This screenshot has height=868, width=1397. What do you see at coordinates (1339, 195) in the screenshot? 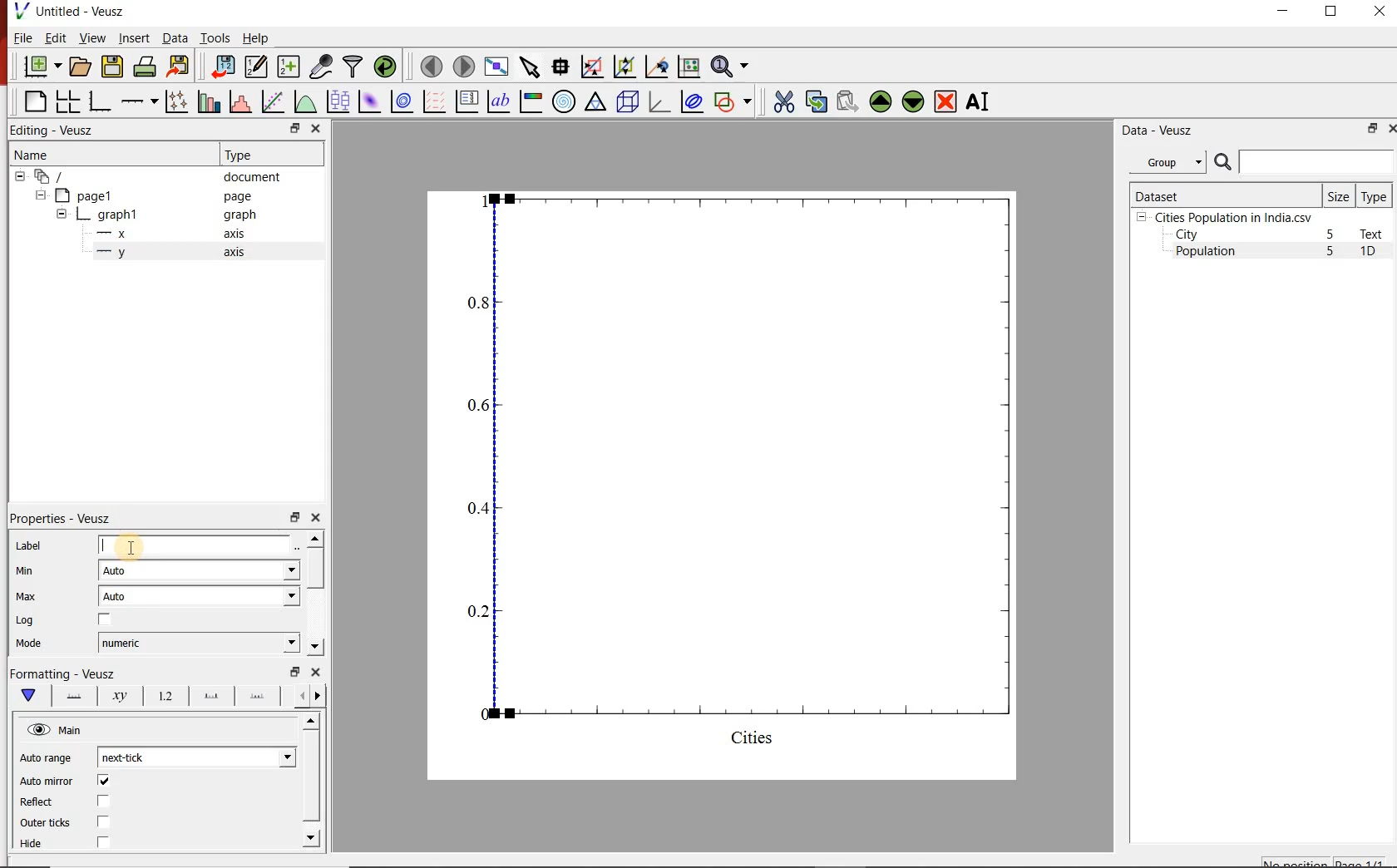
I see `Size` at bounding box center [1339, 195].